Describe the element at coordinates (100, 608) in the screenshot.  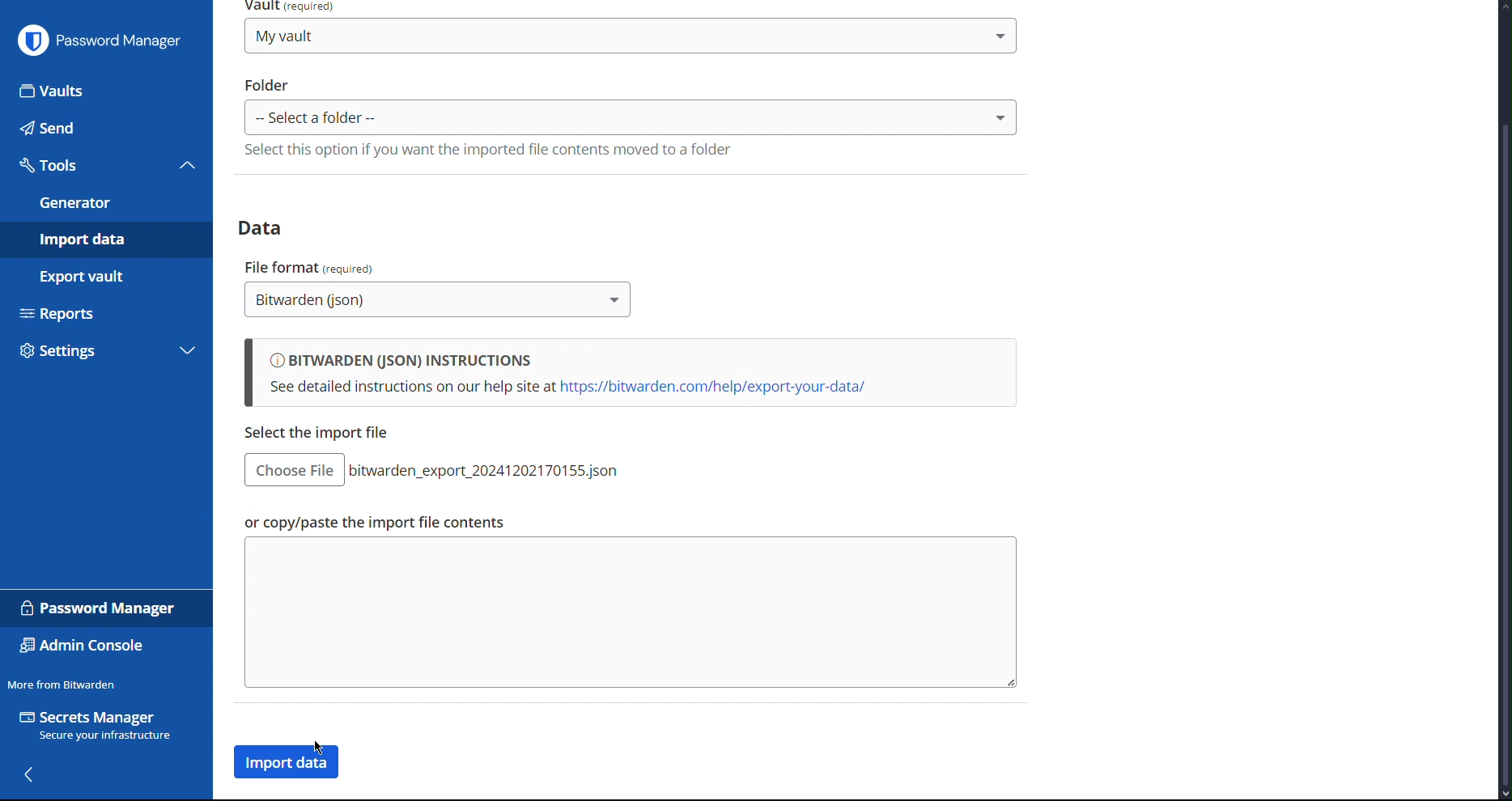
I see `Password Manager` at that location.